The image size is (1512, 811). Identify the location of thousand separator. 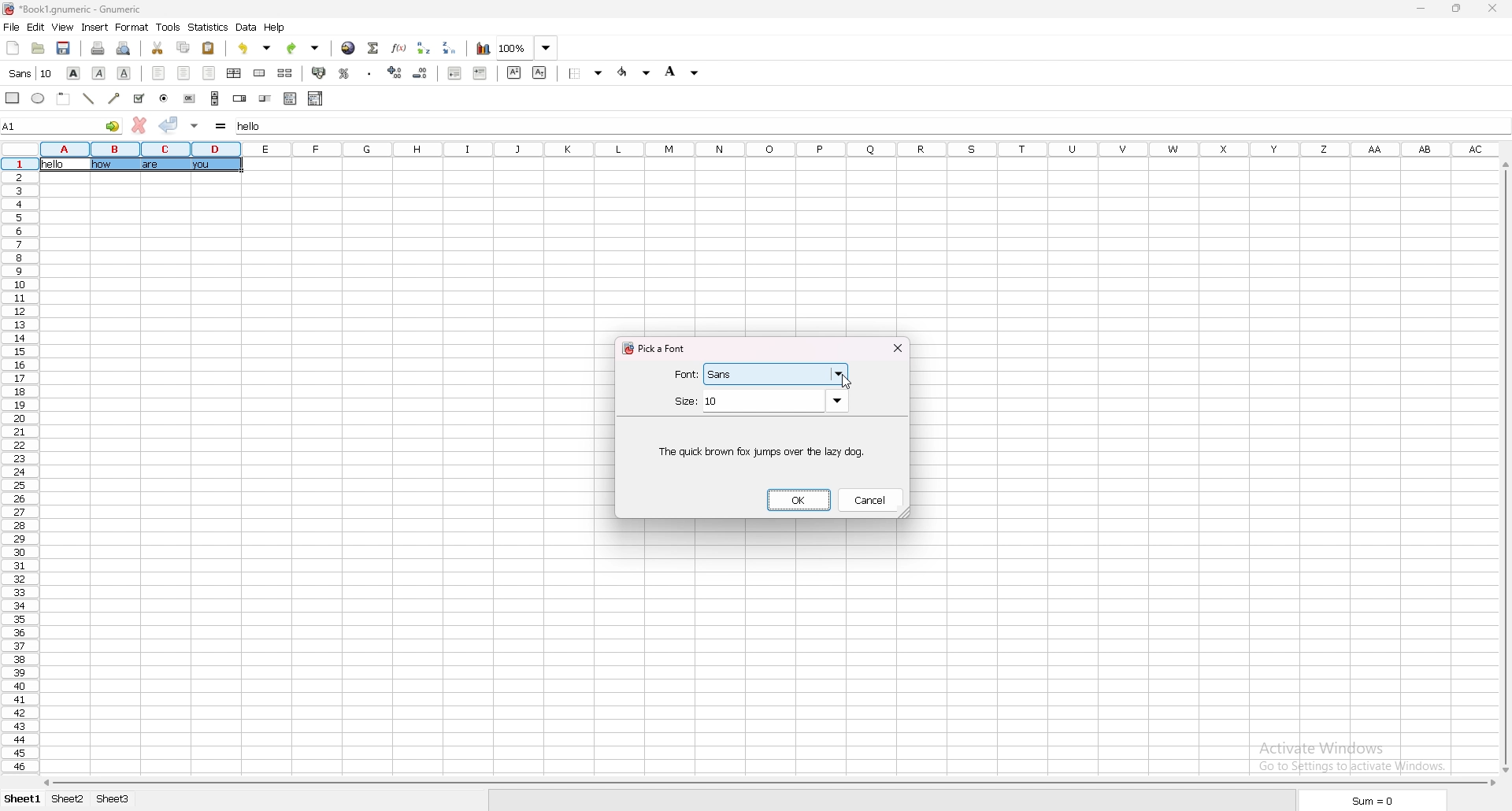
(369, 72).